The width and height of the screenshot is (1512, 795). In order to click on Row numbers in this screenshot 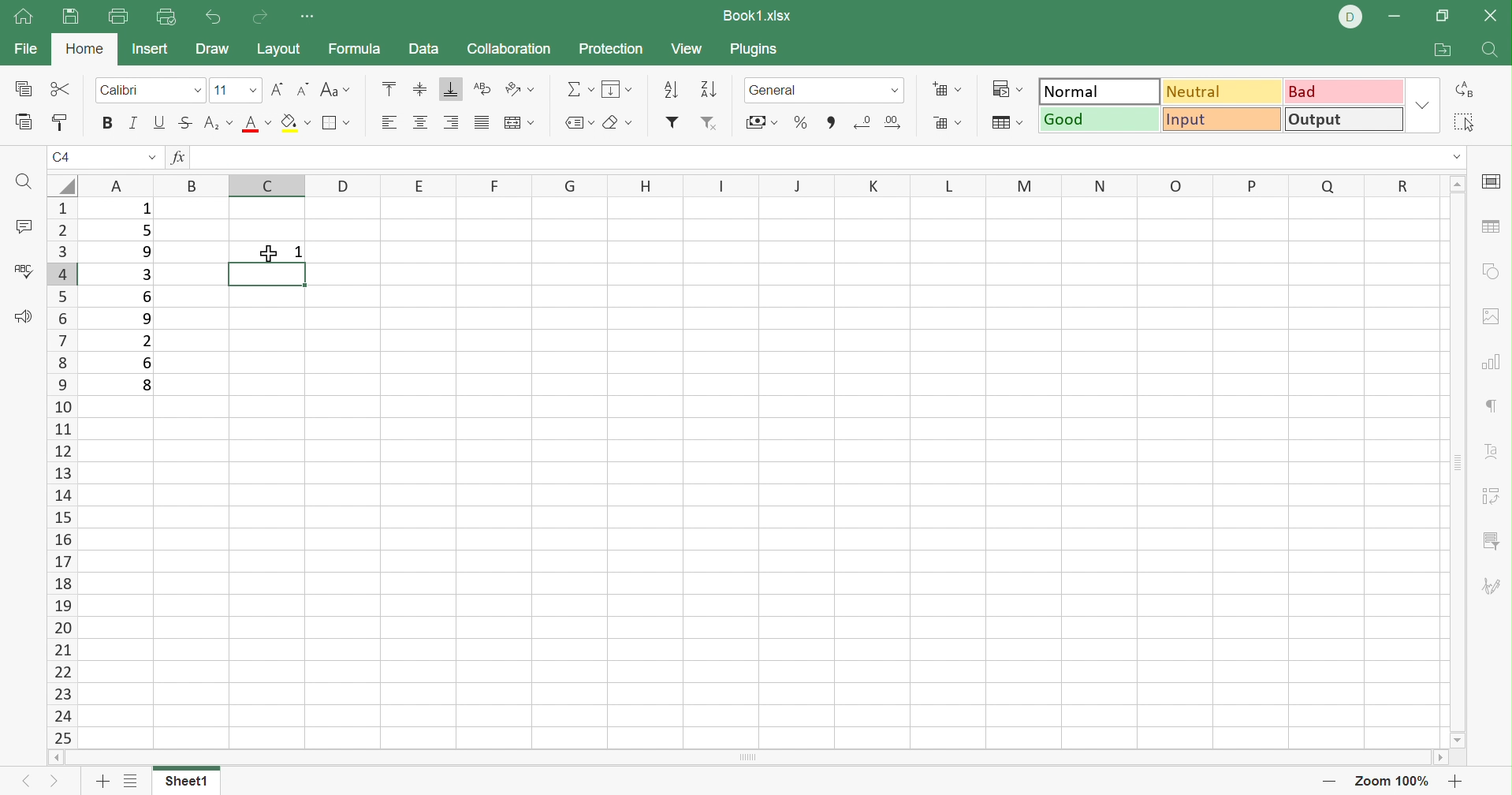, I will do `click(60, 472)`.